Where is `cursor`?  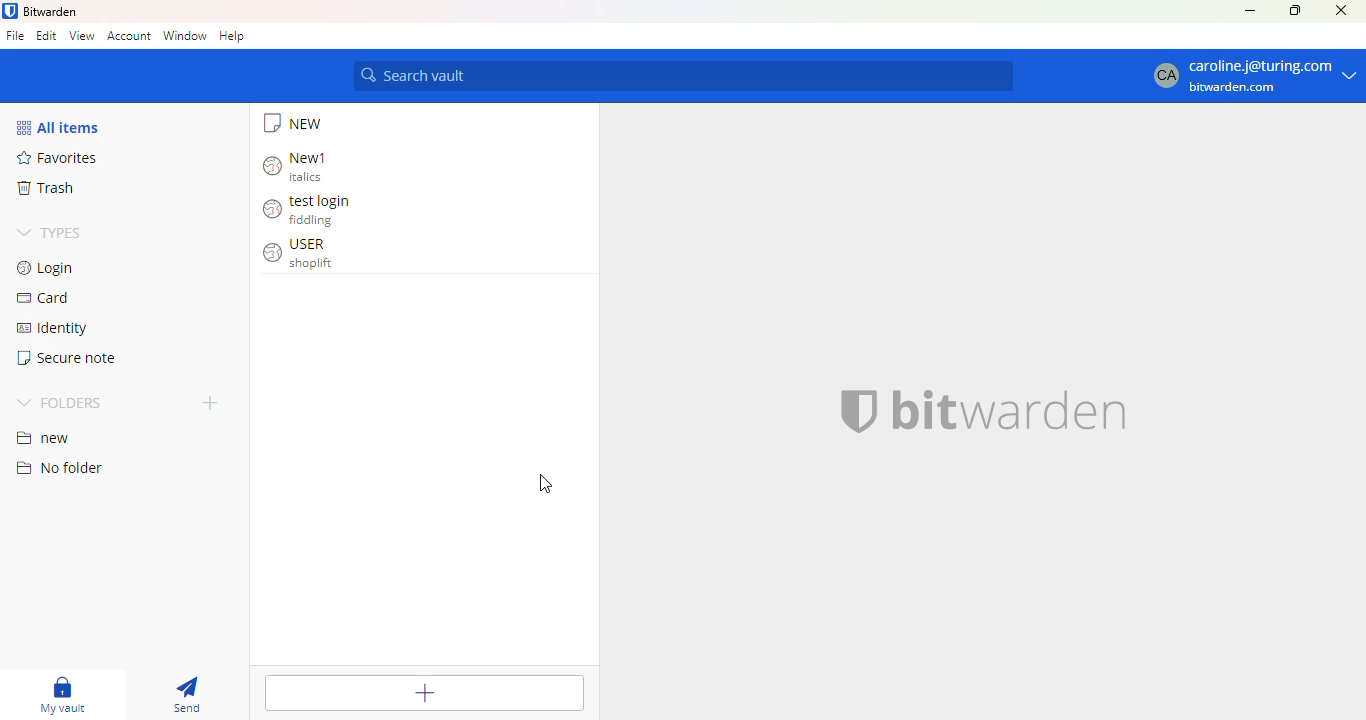 cursor is located at coordinates (546, 483).